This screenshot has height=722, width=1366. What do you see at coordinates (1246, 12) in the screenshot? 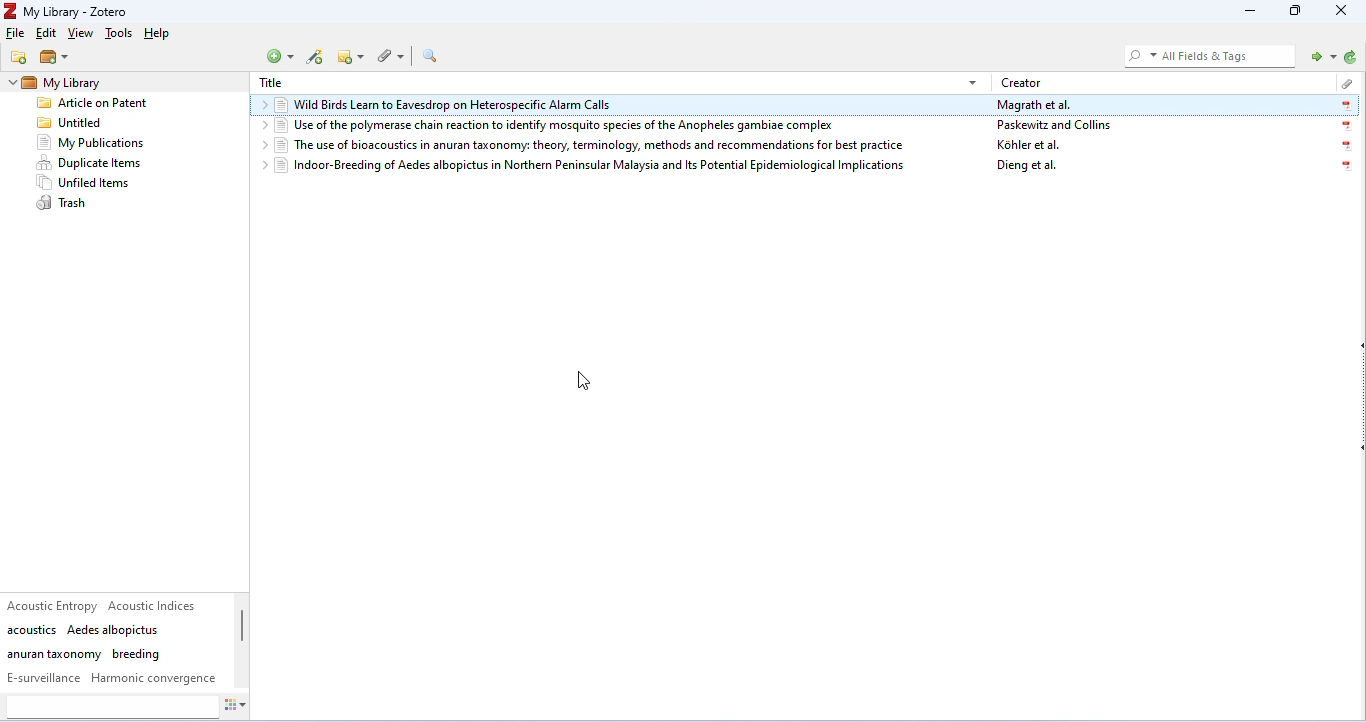
I see `minimize` at bounding box center [1246, 12].